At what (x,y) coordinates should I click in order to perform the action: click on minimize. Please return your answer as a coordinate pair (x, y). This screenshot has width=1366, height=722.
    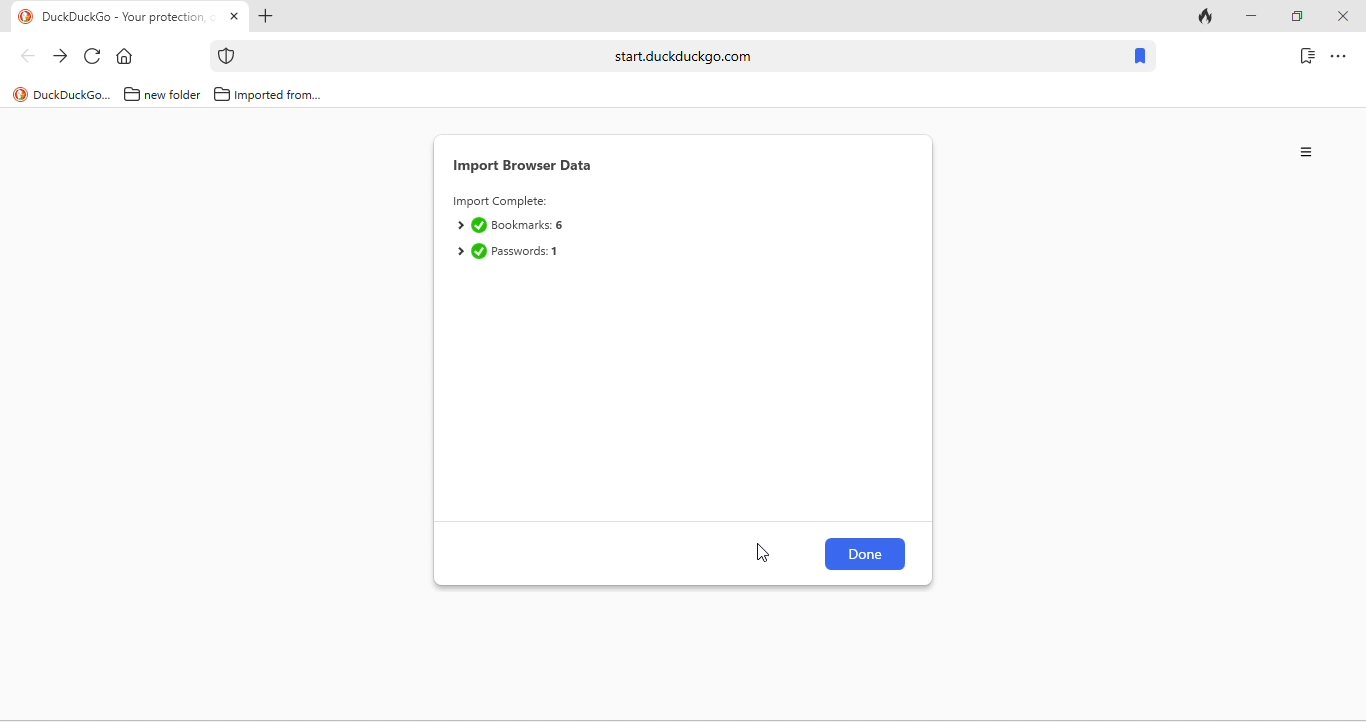
    Looking at the image, I should click on (1250, 17).